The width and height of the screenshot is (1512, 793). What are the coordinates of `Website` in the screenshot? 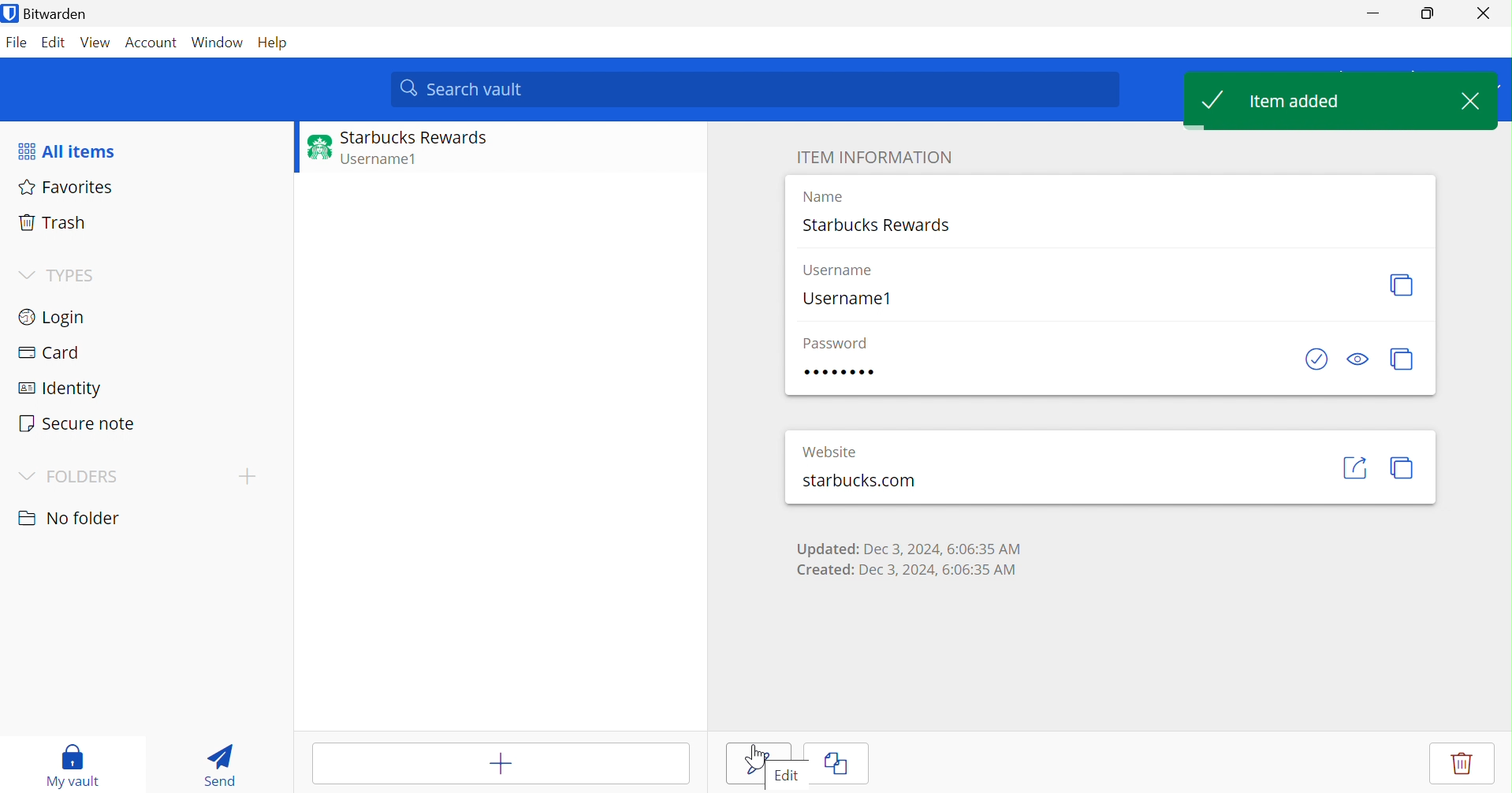 It's located at (837, 452).